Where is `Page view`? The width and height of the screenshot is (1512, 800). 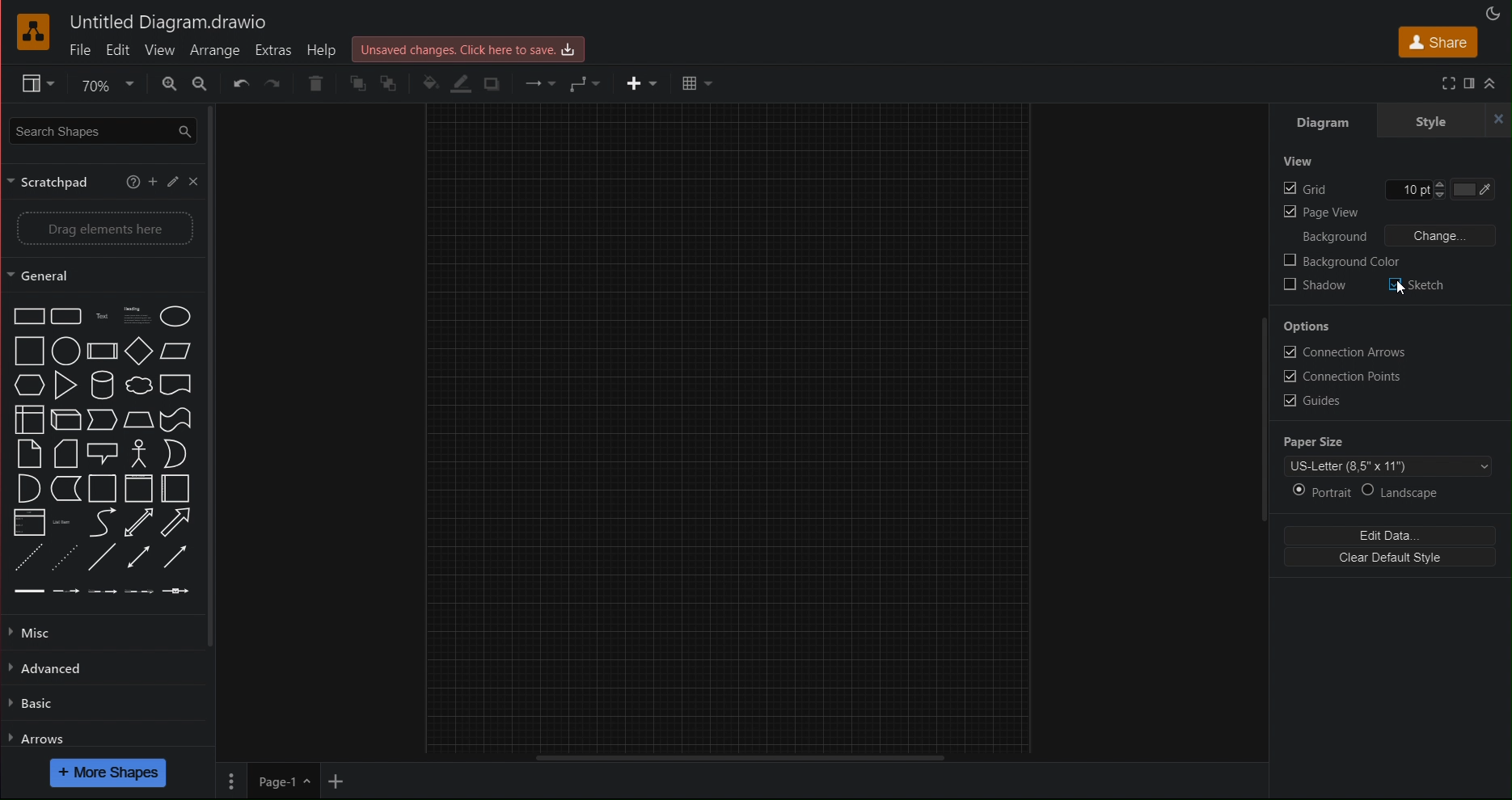 Page view is located at coordinates (1323, 212).